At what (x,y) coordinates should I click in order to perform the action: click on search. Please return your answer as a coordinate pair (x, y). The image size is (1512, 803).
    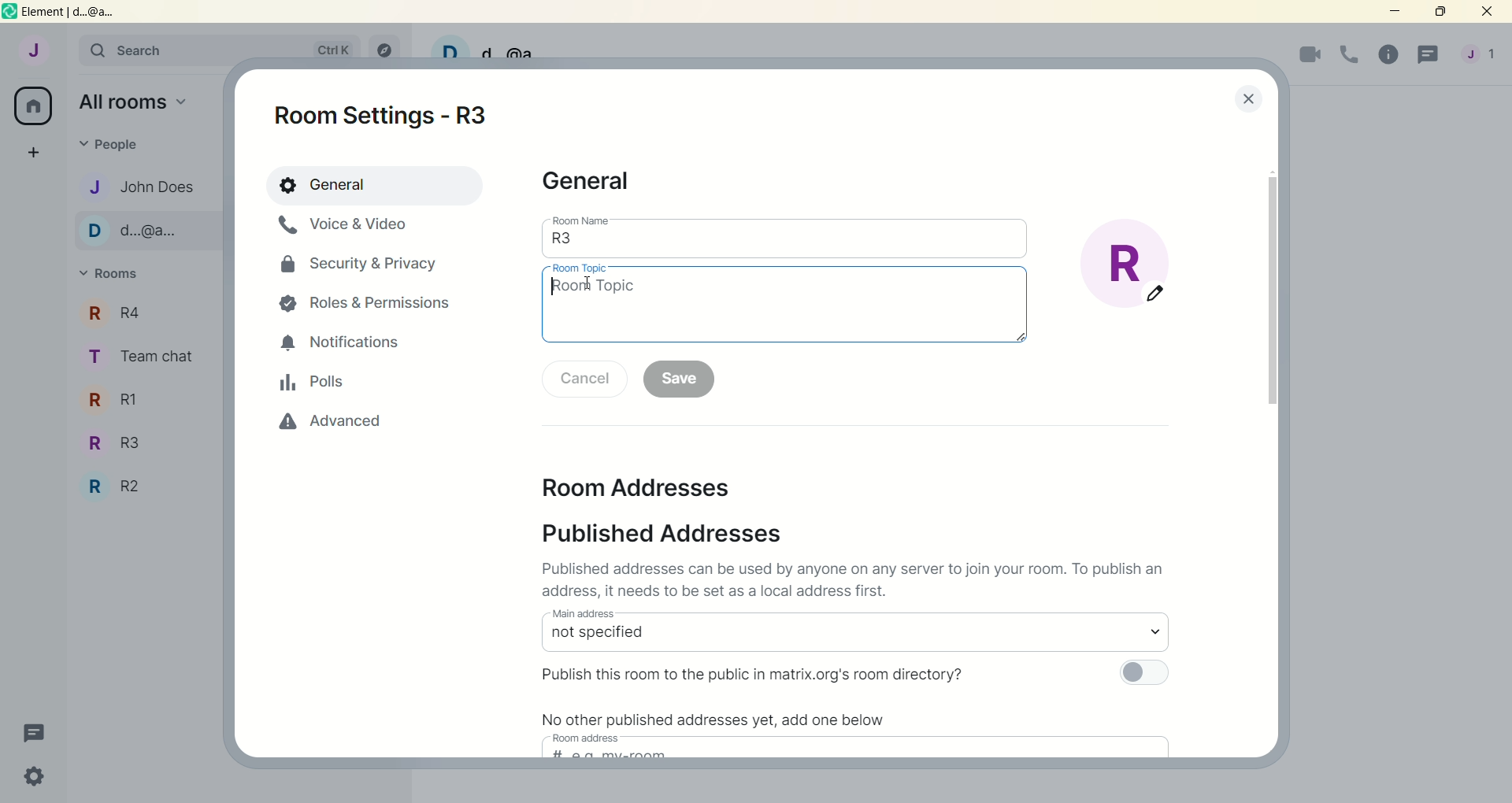
    Looking at the image, I should click on (148, 52).